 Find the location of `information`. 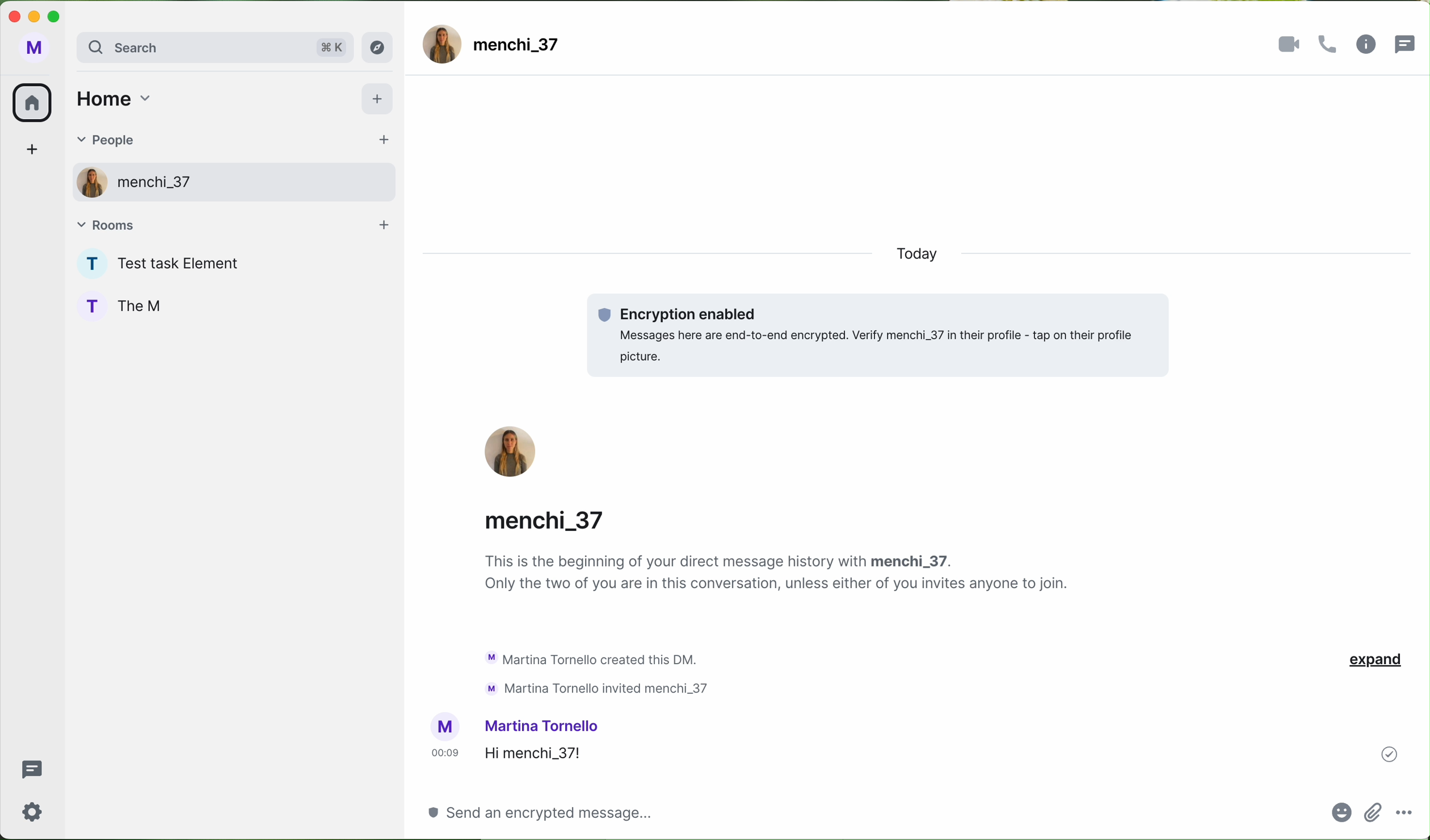

information is located at coordinates (1366, 45).